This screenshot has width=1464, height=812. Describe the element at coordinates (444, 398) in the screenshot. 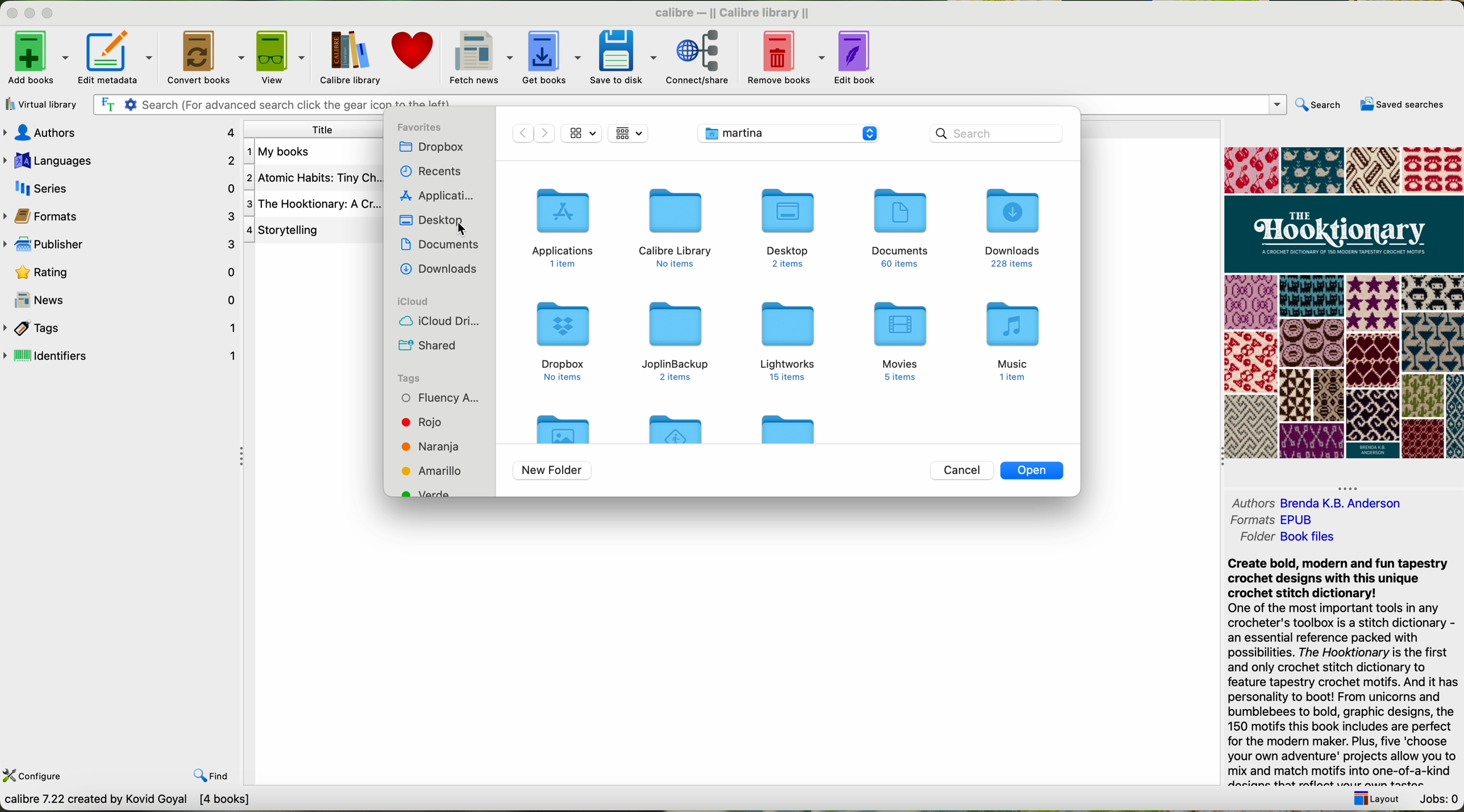

I see `fluency tag` at that location.